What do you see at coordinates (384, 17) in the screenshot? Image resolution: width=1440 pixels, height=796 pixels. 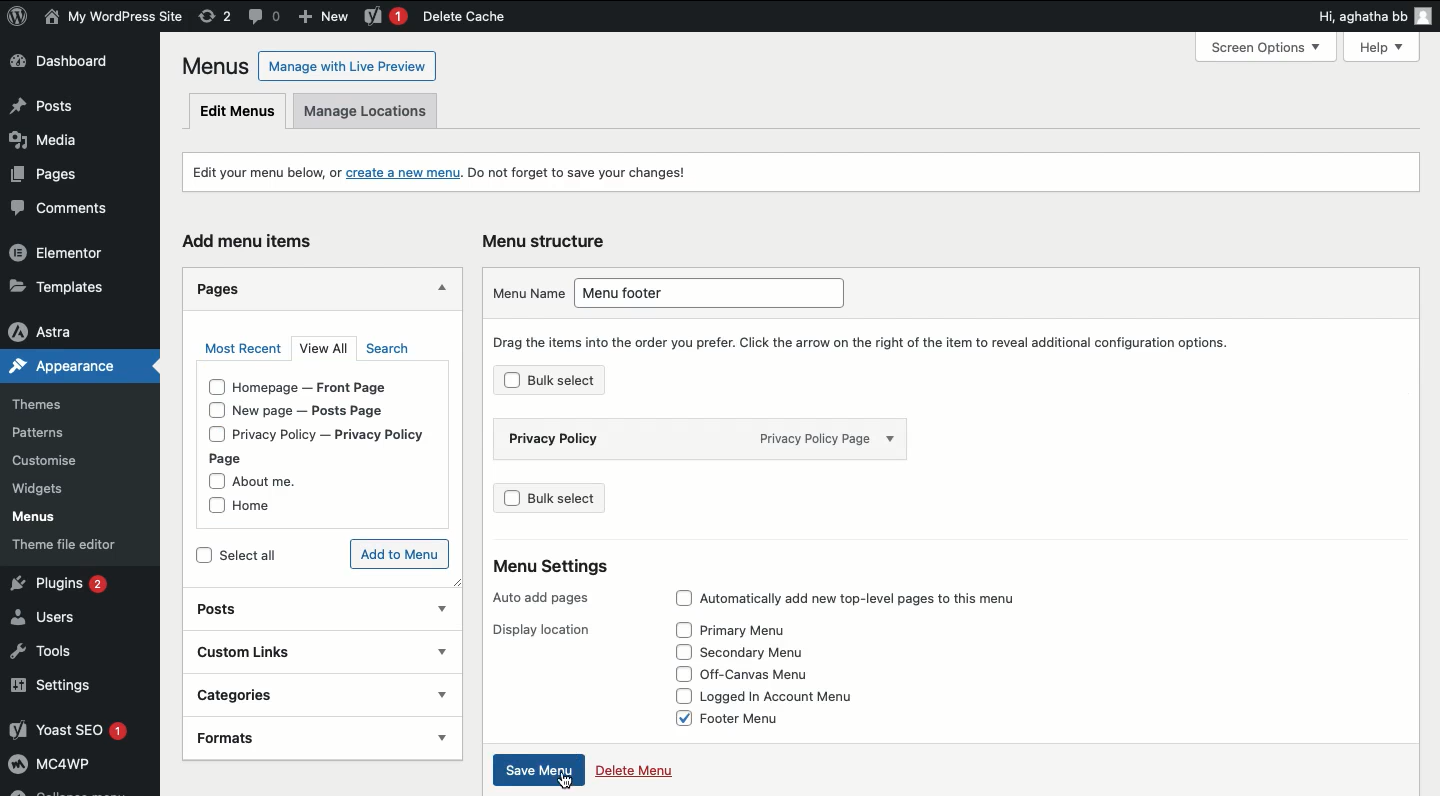 I see `Yoast` at bounding box center [384, 17].